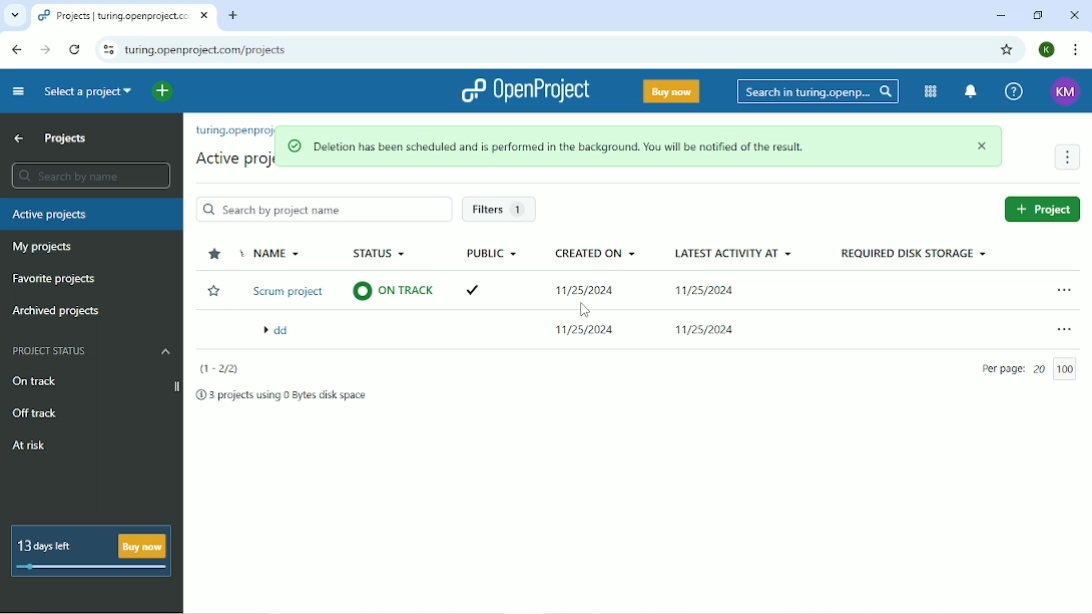  I want to click on 11/25/2024, so click(583, 292).